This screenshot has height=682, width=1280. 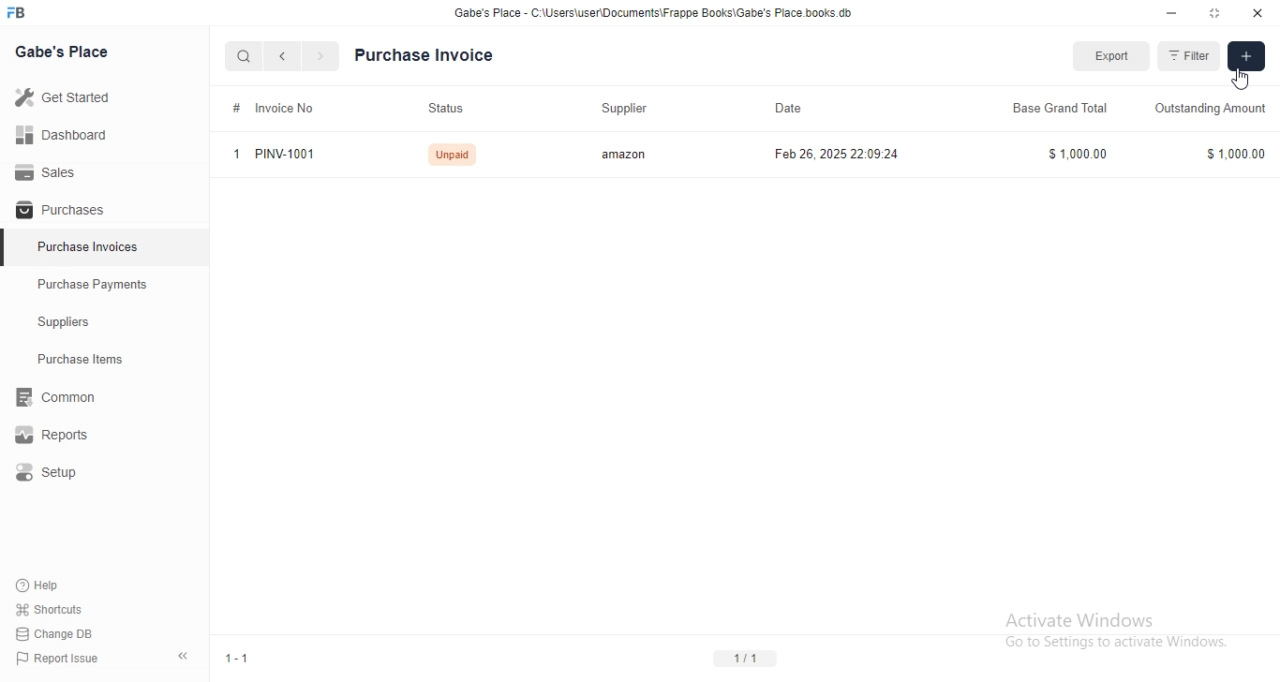 What do you see at coordinates (1118, 630) in the screenshot?
I see `Activate Windows Go to Settings to activate Windows.` at bounding box center [1118, 630].